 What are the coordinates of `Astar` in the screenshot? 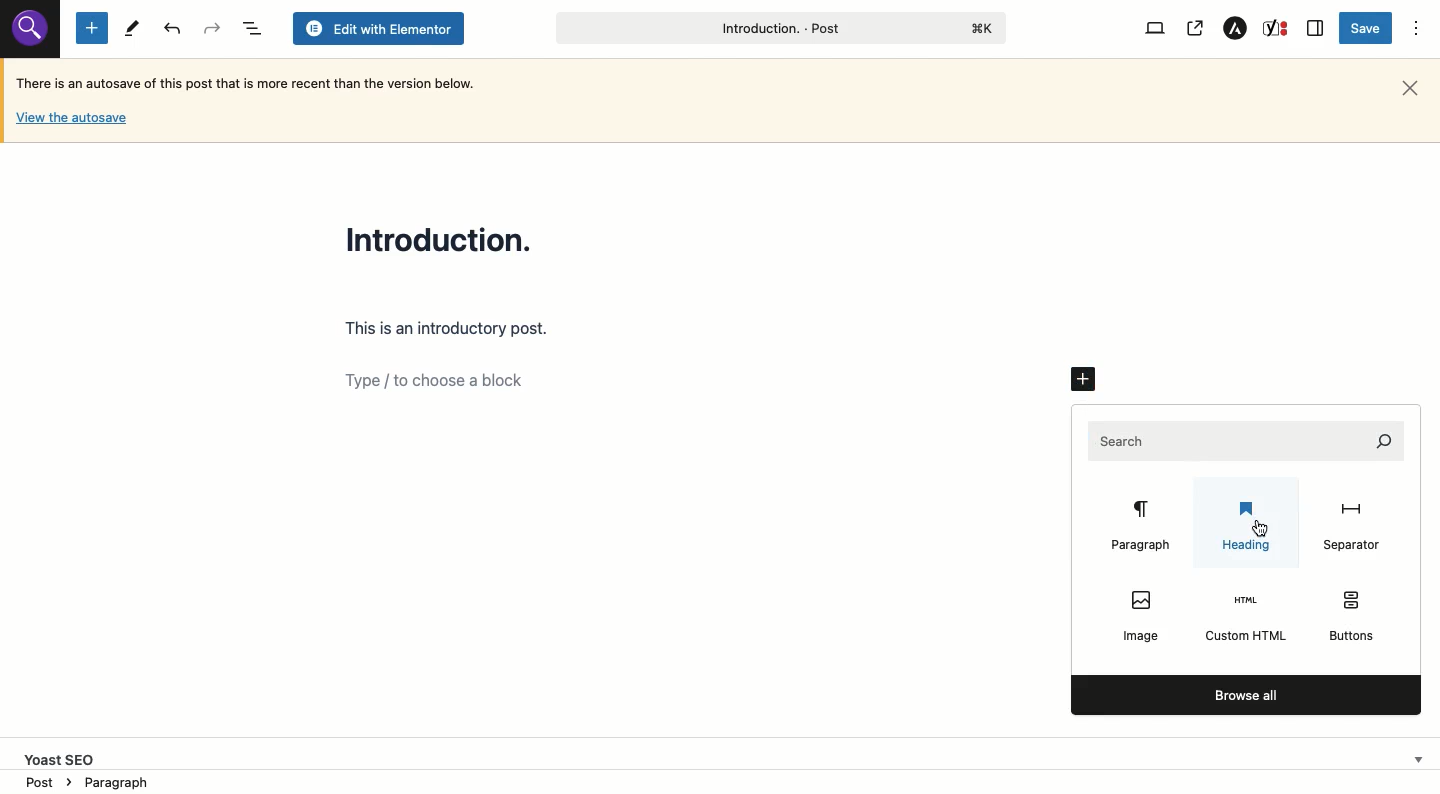 It's located at (1236, 29).